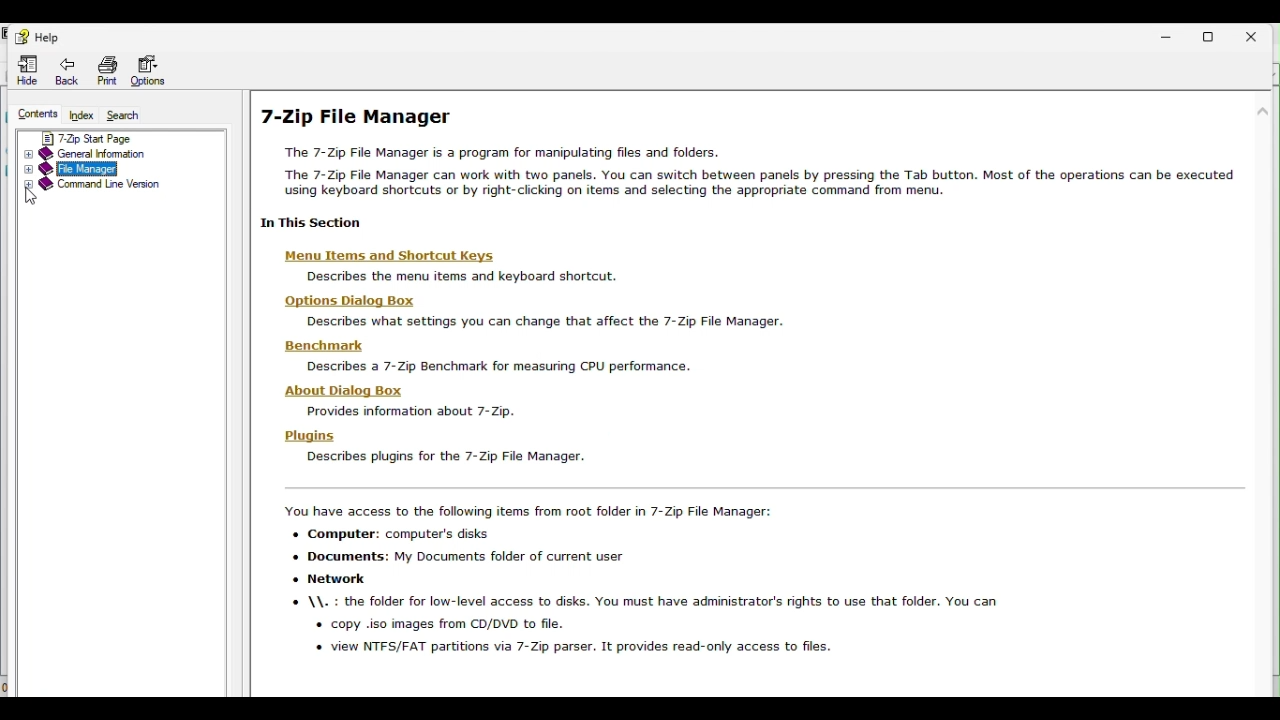 The image size is (1280, 720). I want to click on Print, so click(108, 69).